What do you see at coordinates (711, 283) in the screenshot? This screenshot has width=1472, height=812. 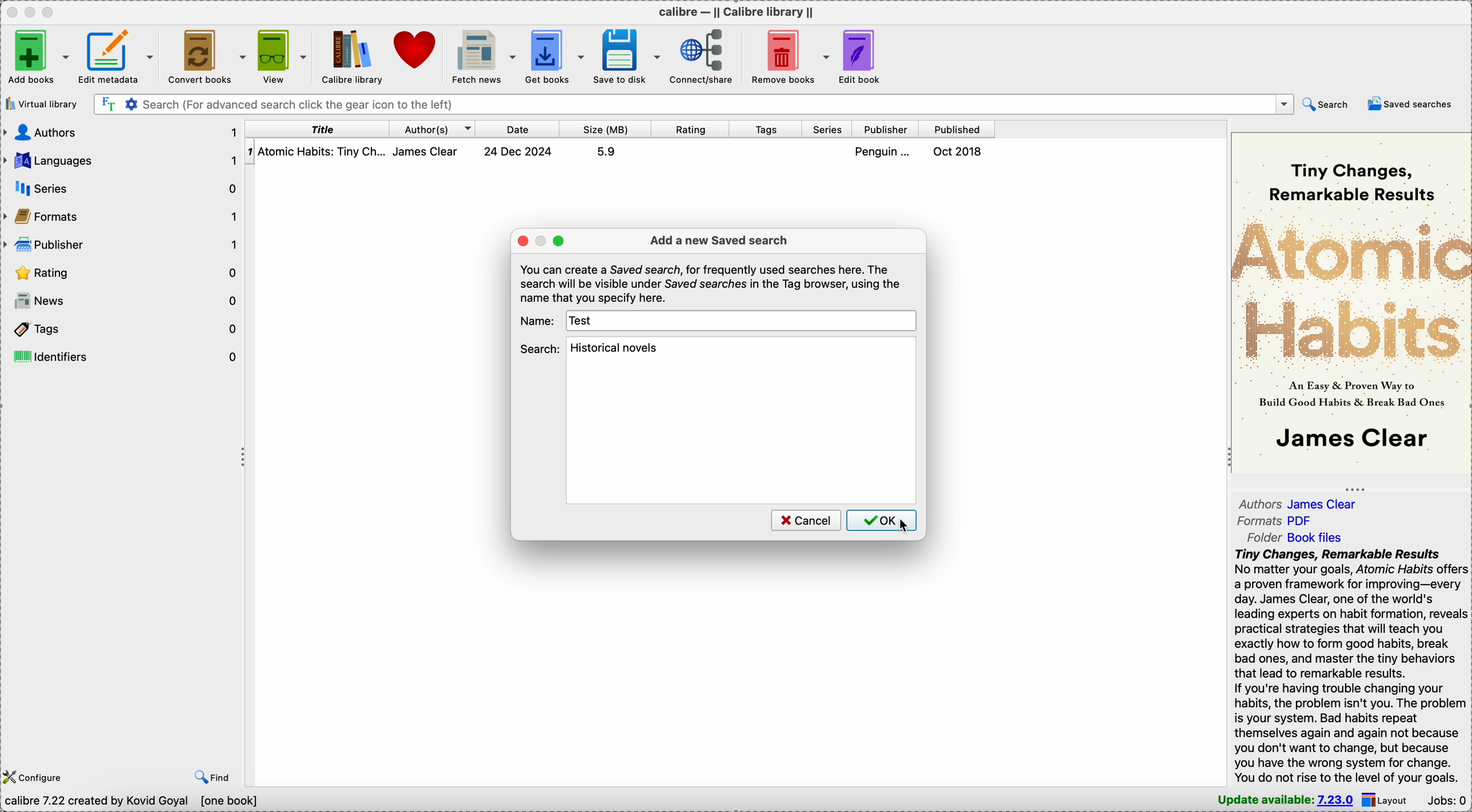 I see `You can create a Saved search, for frequently used searches here. The search will be visible under Saved searches in the Tag browser, using the name that you specify here.` at bounding box center [711, 283].